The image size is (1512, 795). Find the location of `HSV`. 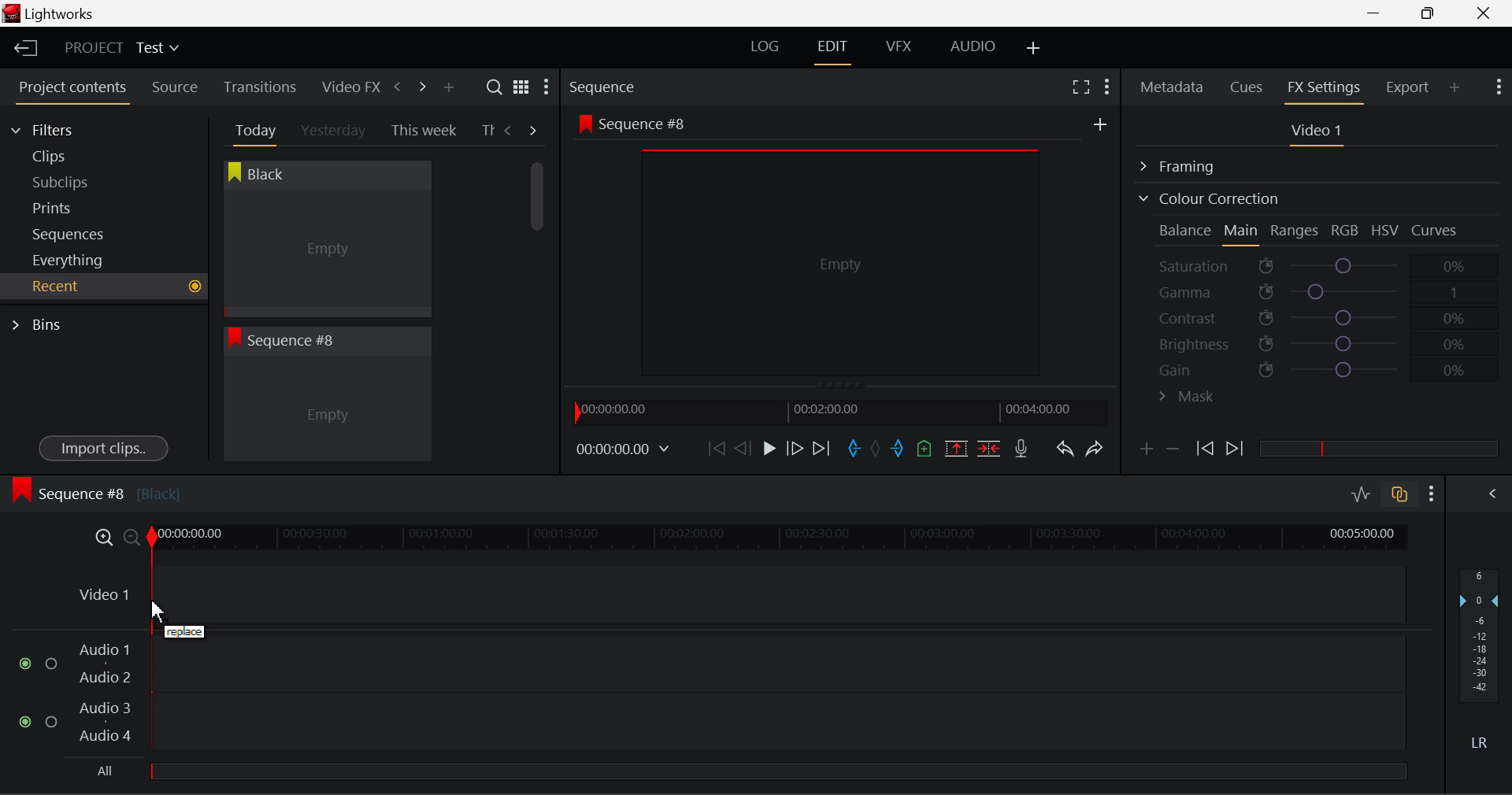

HSV is located at coordinates (1385, 230).